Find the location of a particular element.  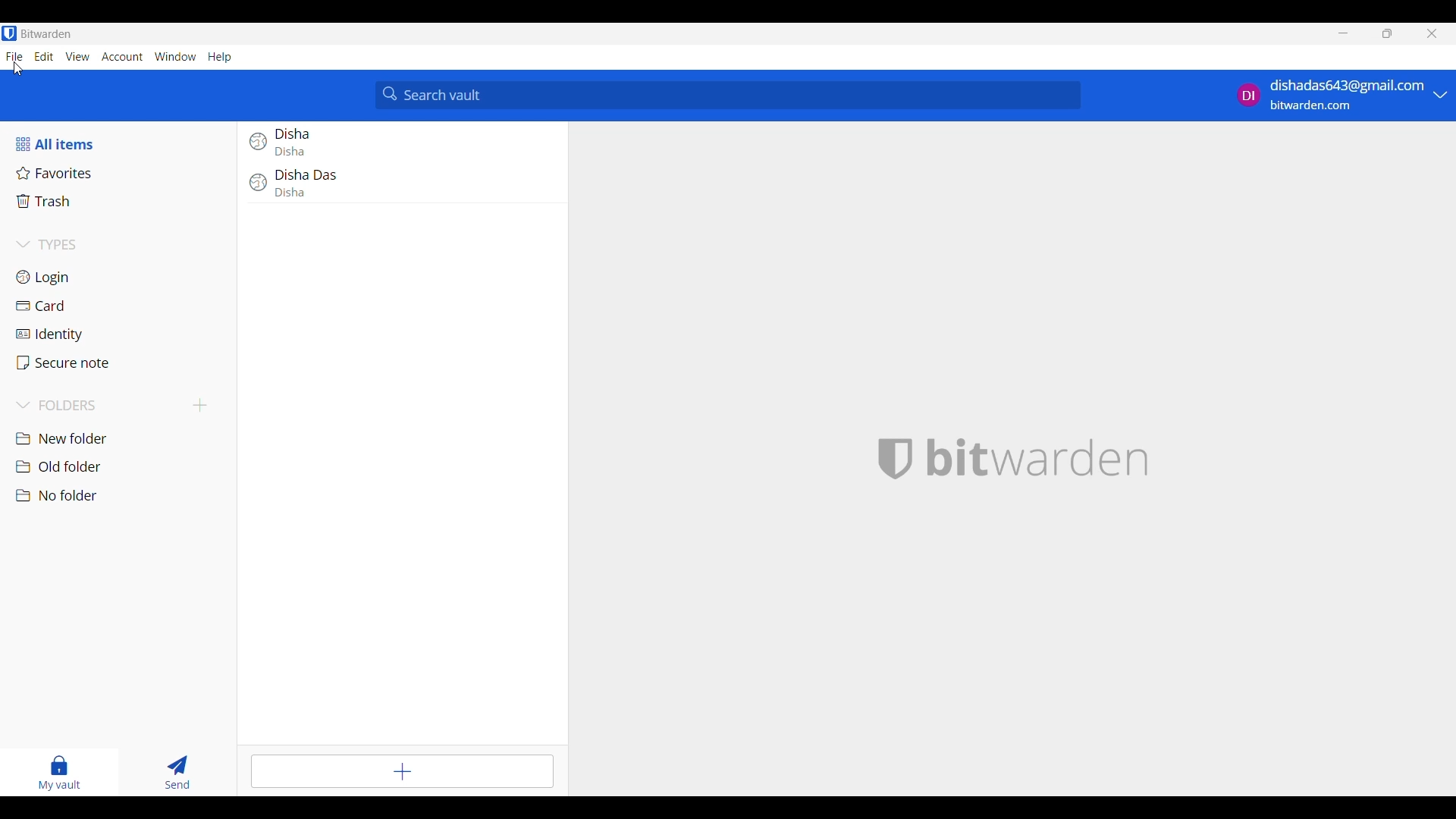

Add account is located at coordinates (1440, 95).